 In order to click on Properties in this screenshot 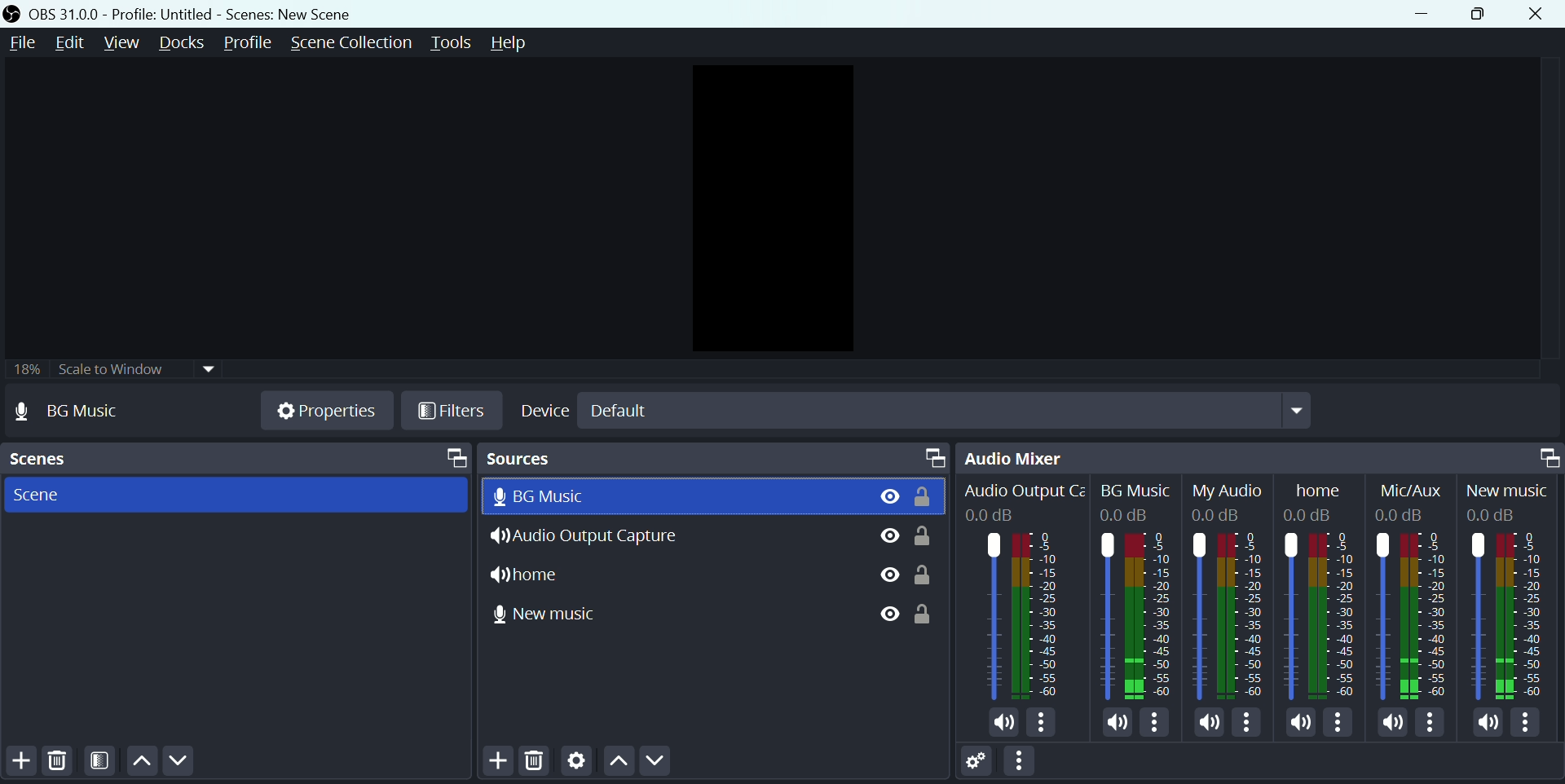, I will do `click(328, 409)`.